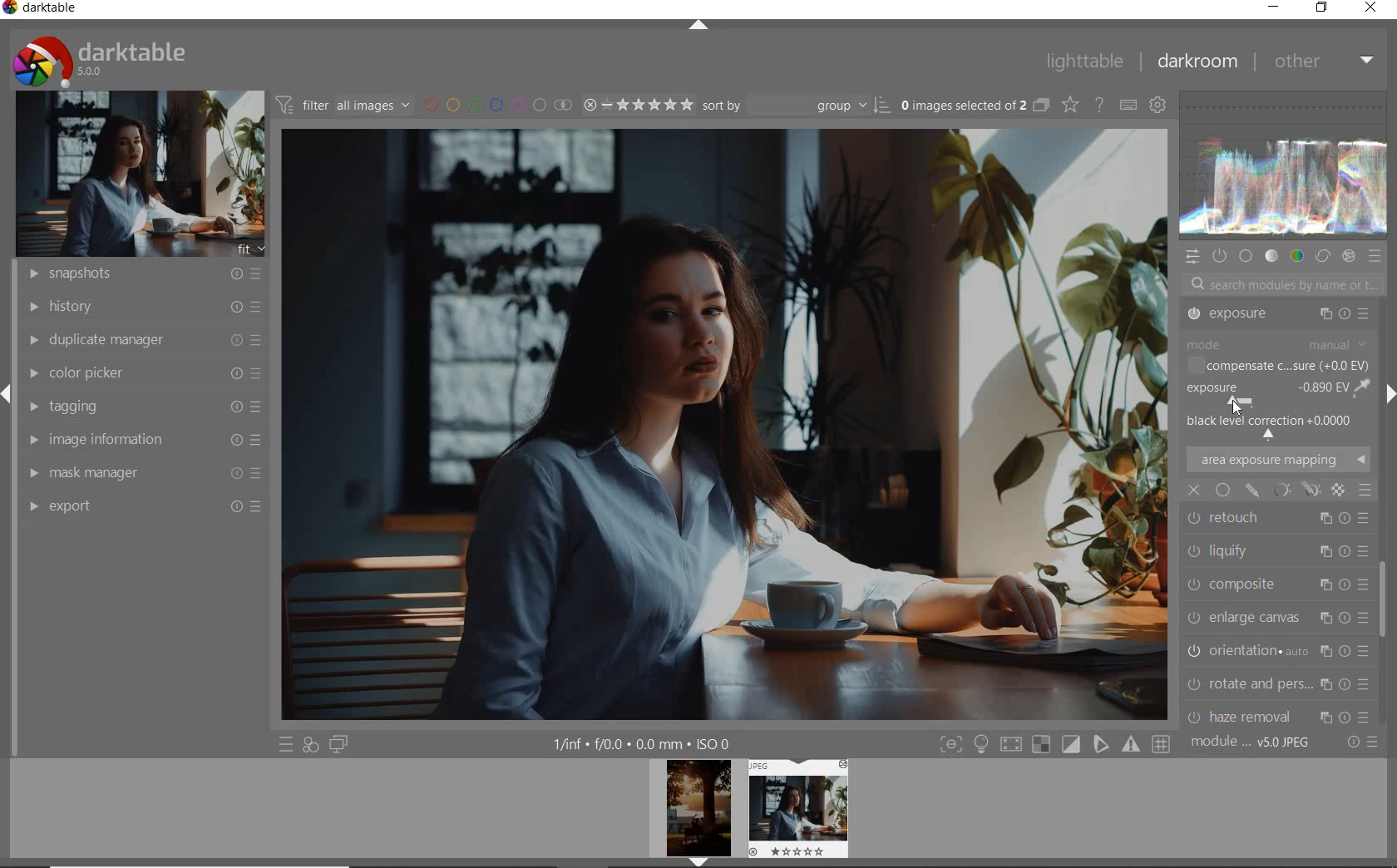 The image size is (1397, 868). I want to click on close, so click(1195, 490).